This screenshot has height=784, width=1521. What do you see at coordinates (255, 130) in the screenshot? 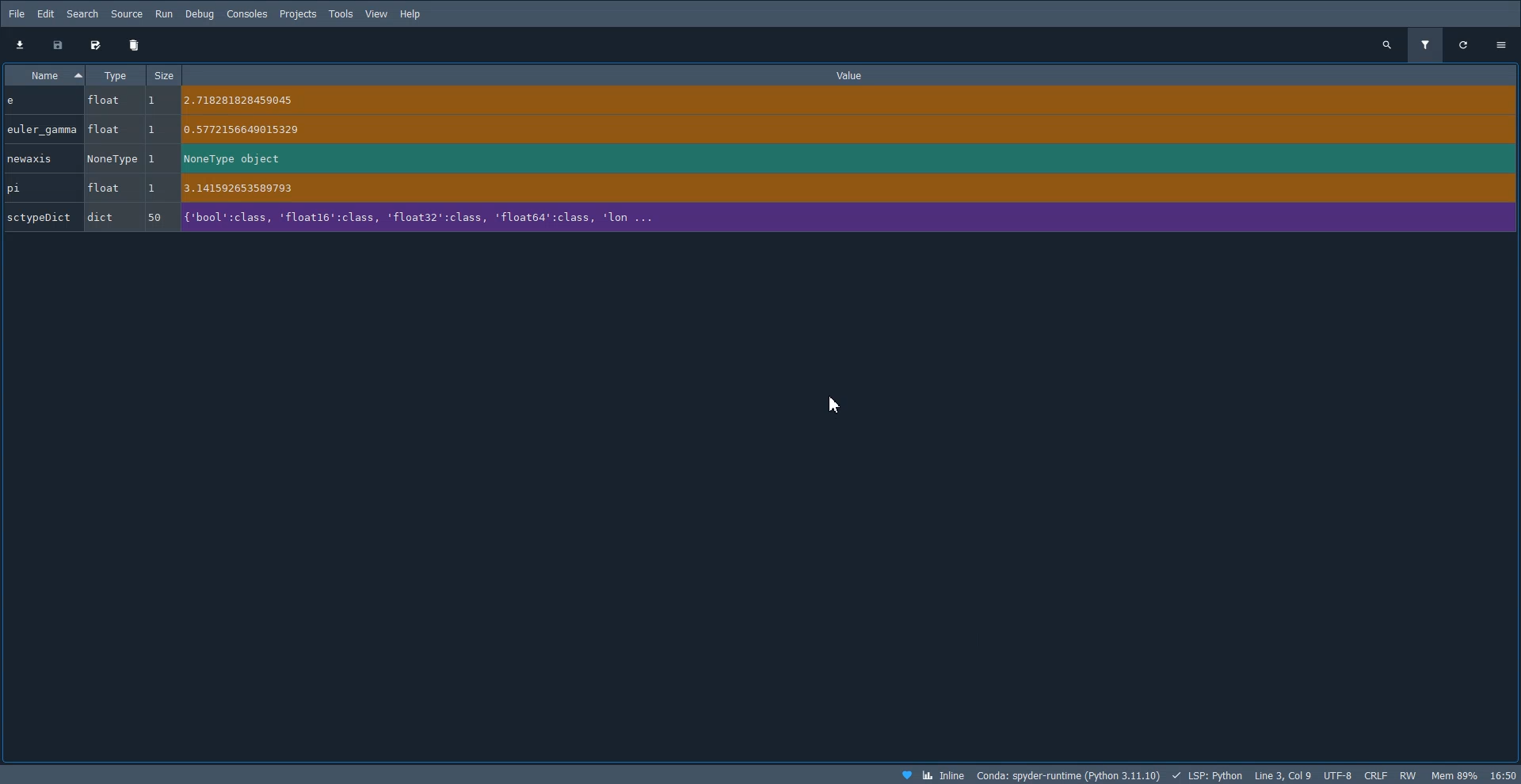
I see `To .5772156649015329` at bounding box center [255, 130].